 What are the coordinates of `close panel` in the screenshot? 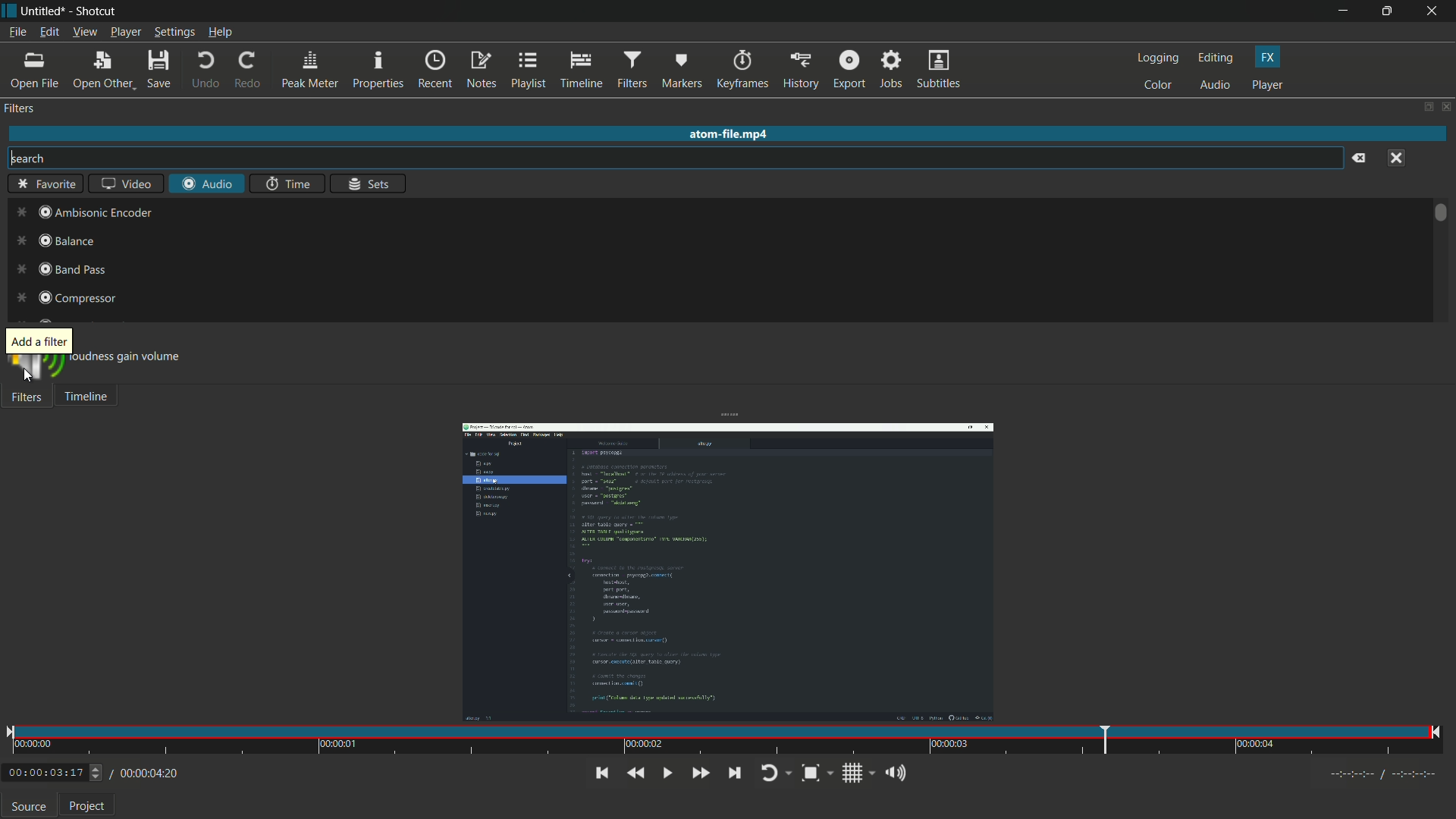 It's located at (1445, 106).